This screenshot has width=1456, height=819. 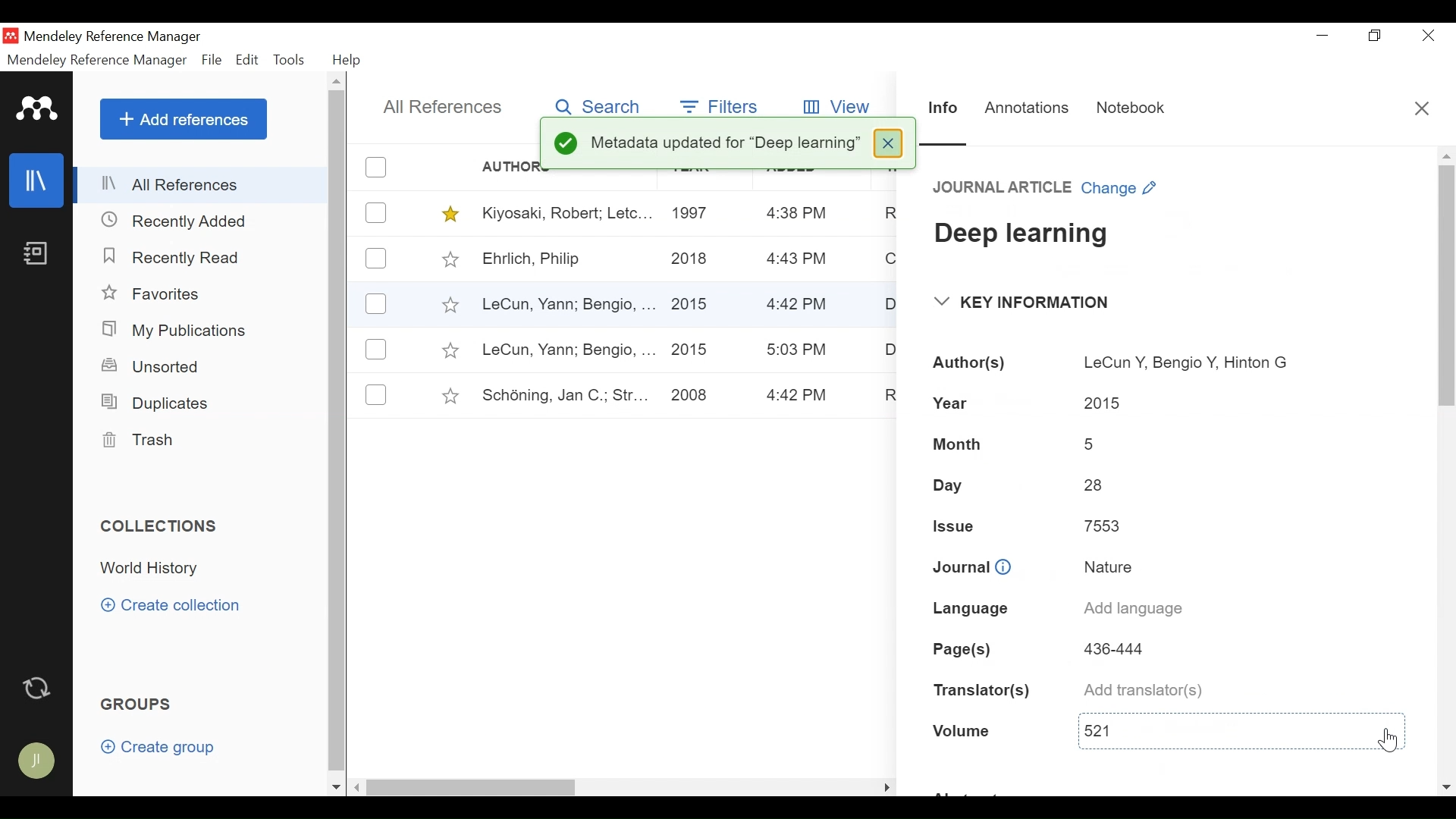 I want to click on Create group, so click(x=165, y=750).